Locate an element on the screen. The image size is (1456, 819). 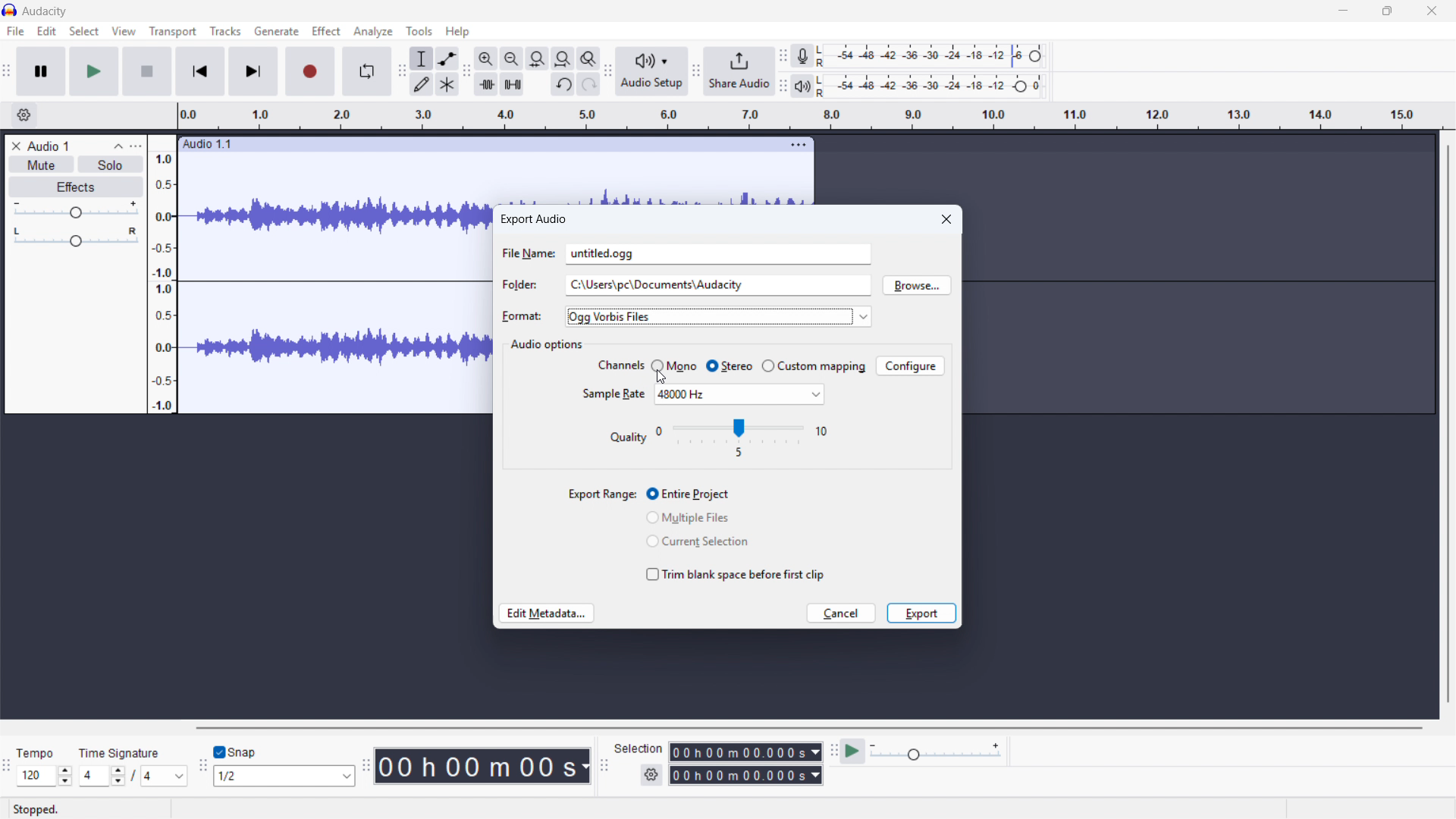
minimise  is located at coordinates (1341, 11).